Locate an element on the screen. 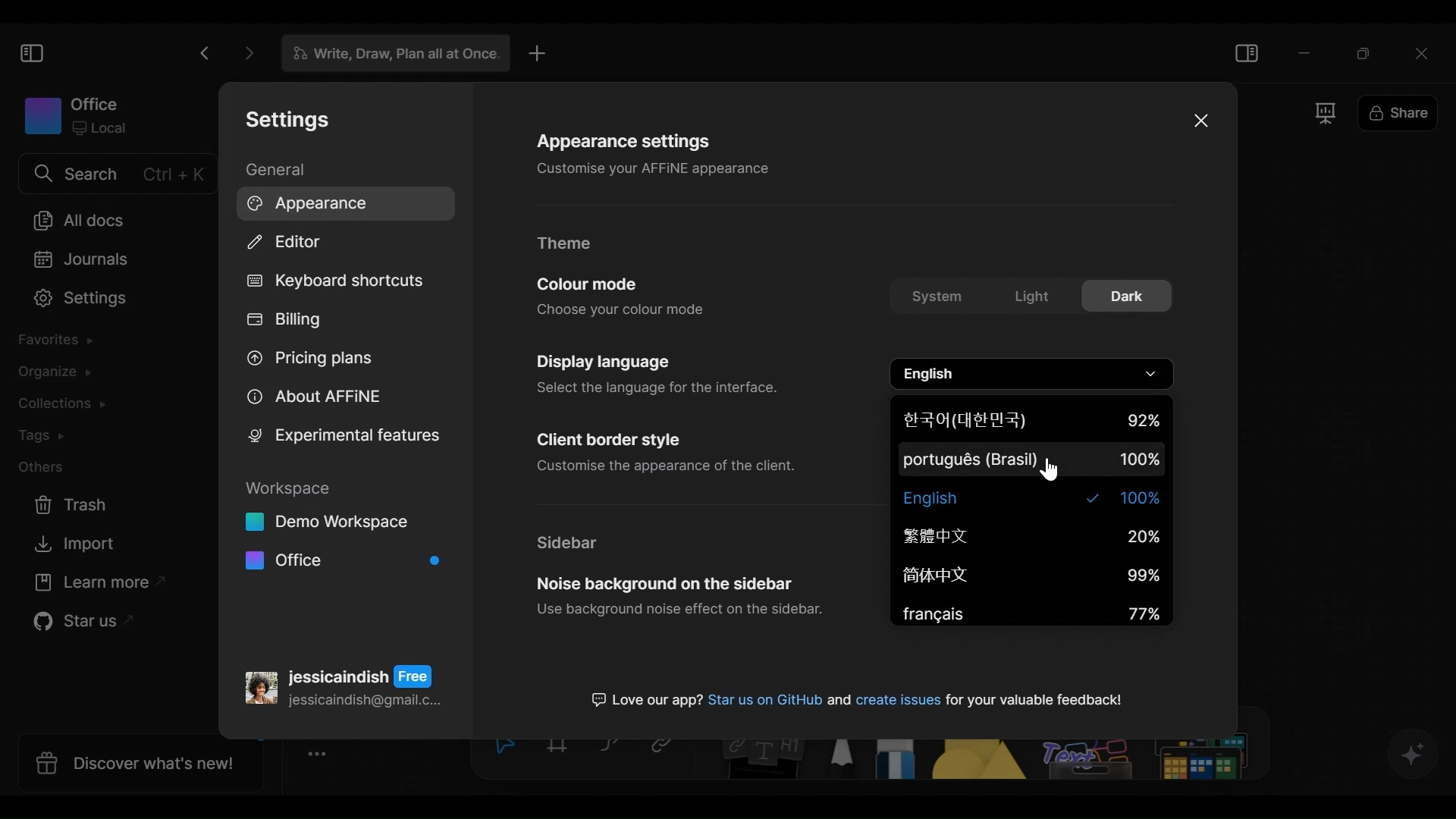 The image size is (1456, 819). Import is located at coordinates (77, 544).